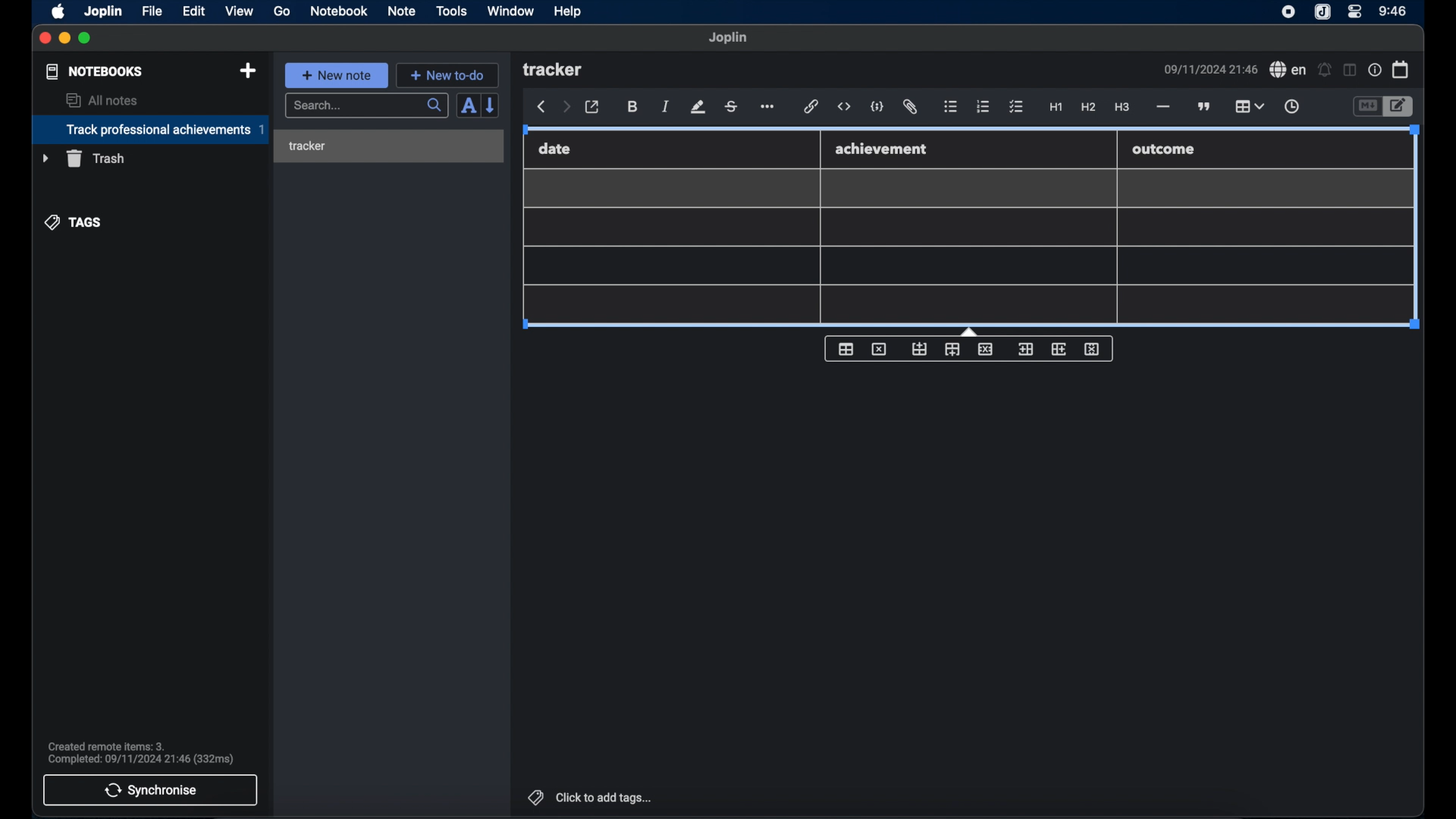  What do you see at coordinates (566, 12) in the screenshot?
I see `help` at bounding box center [566, 12].